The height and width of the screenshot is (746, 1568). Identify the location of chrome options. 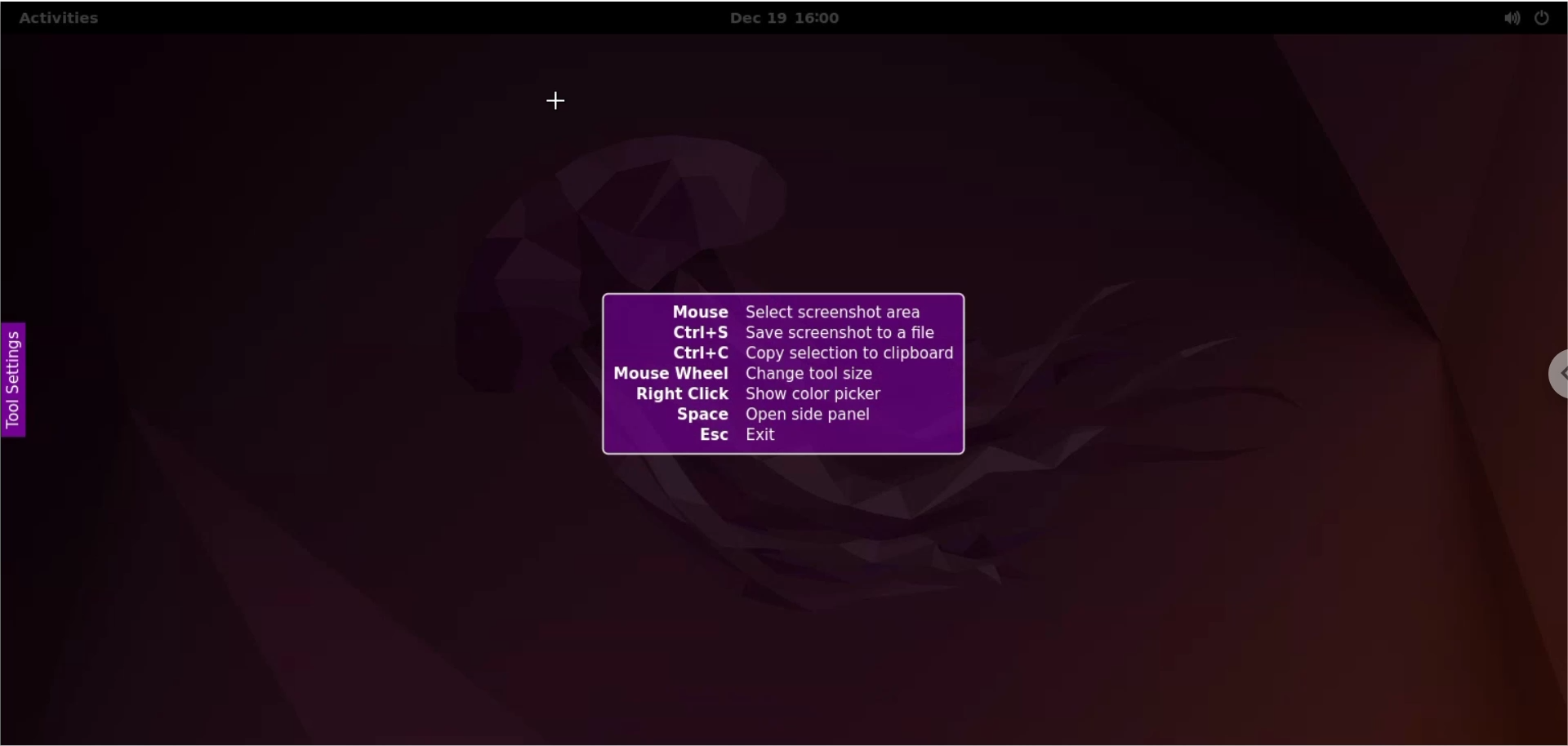
(1540, 383).